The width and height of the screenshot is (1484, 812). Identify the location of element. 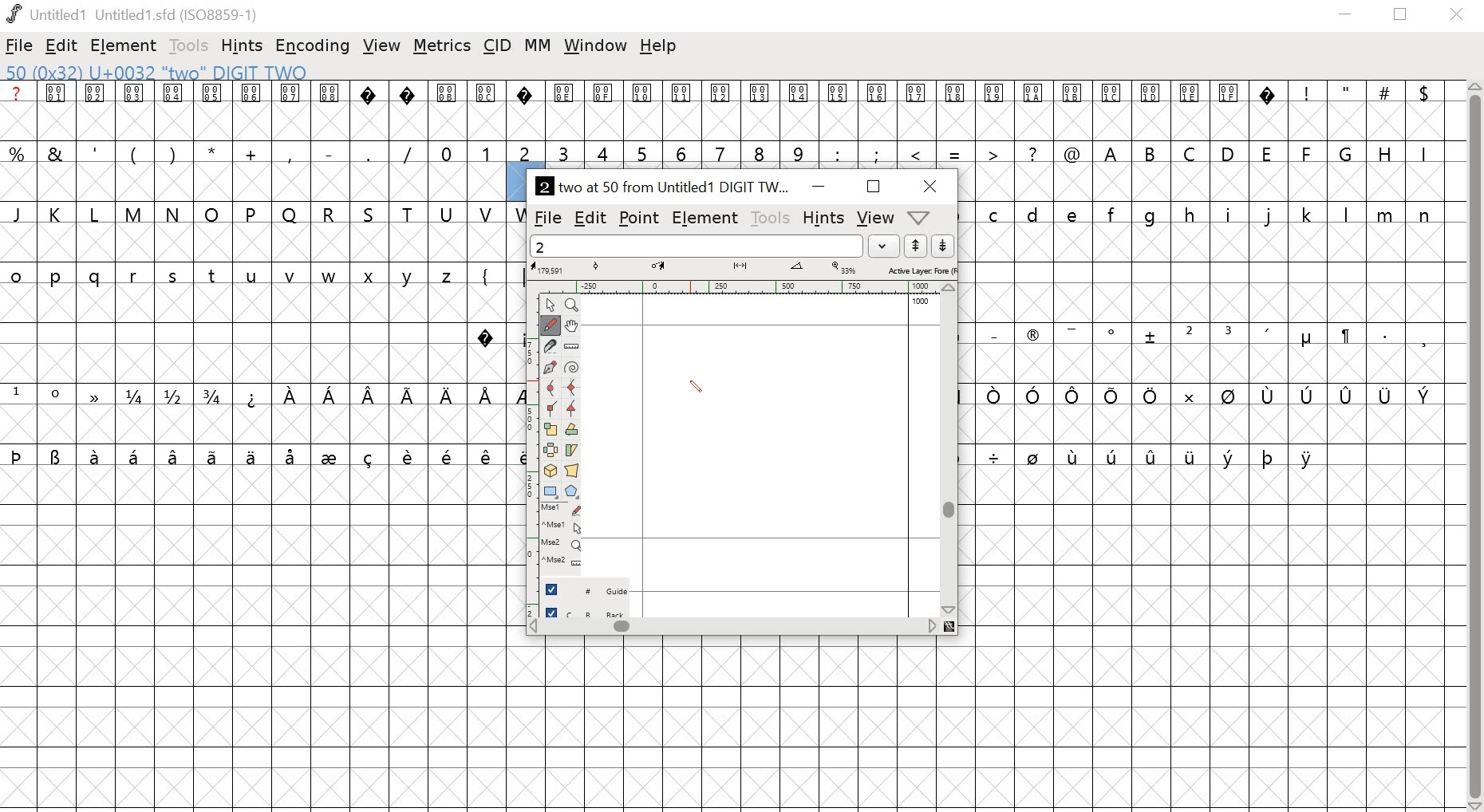
(125, 45).